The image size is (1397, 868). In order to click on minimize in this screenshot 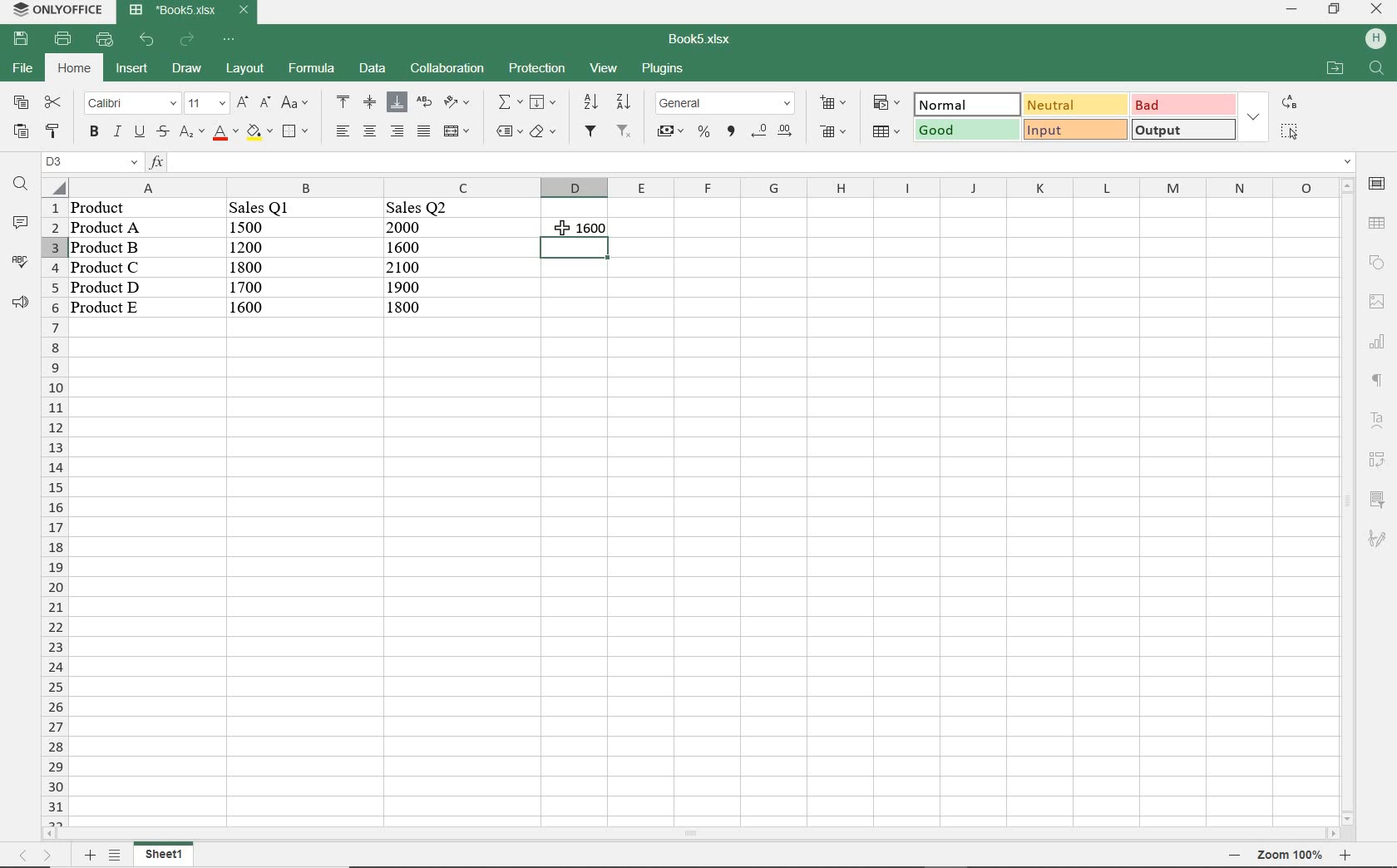, I will do `click(1292, 11)`.